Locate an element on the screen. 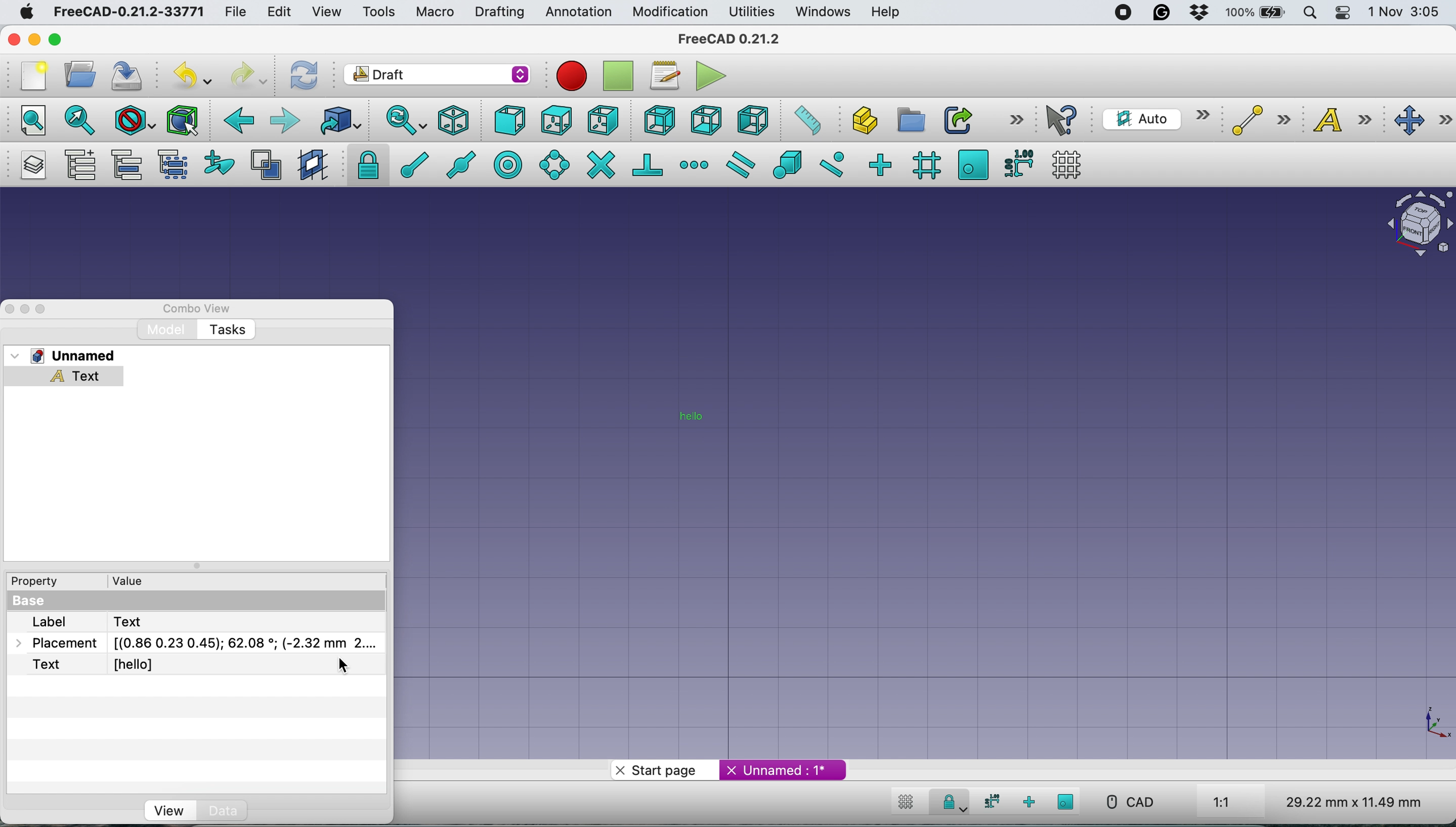 The image size is (1456, 827). unnamed is located at coordinates (783, 768).